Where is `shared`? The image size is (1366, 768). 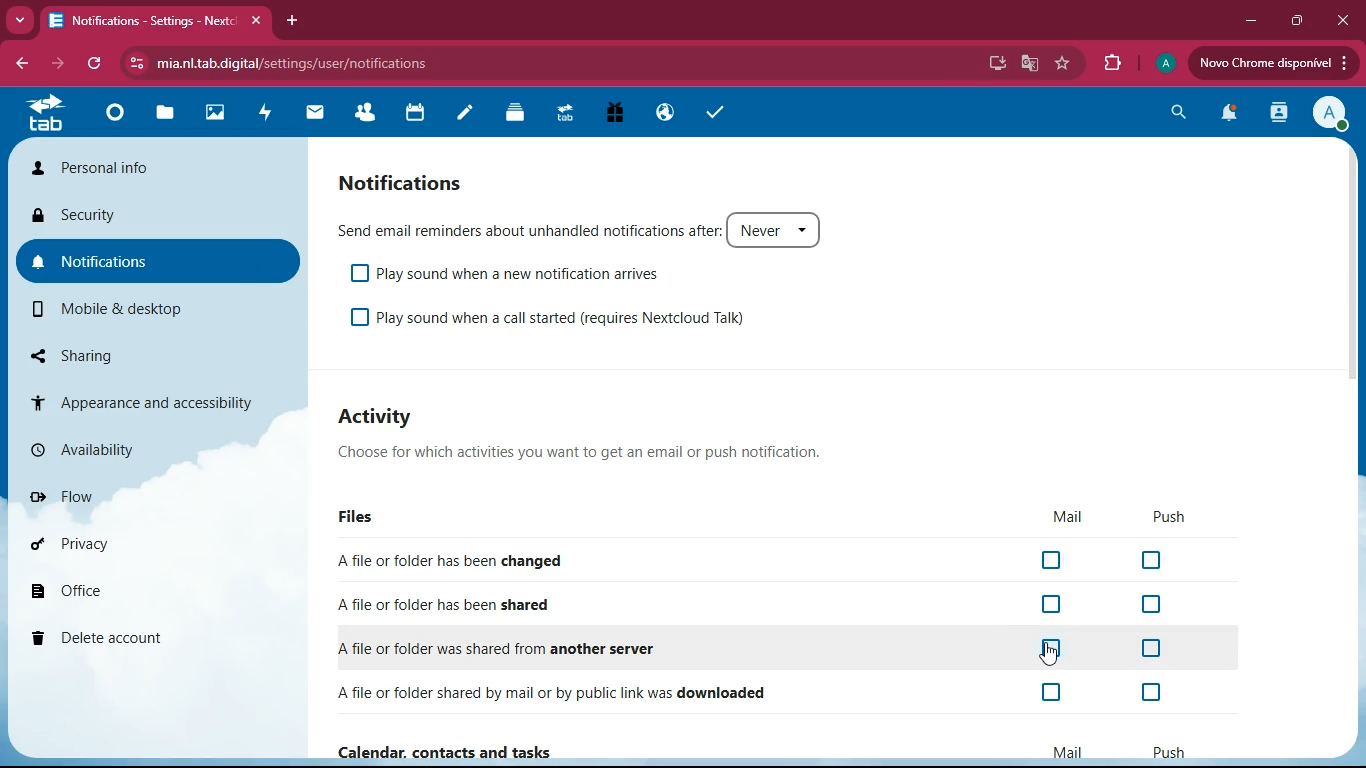
shared is located at coordinates (467, 605).